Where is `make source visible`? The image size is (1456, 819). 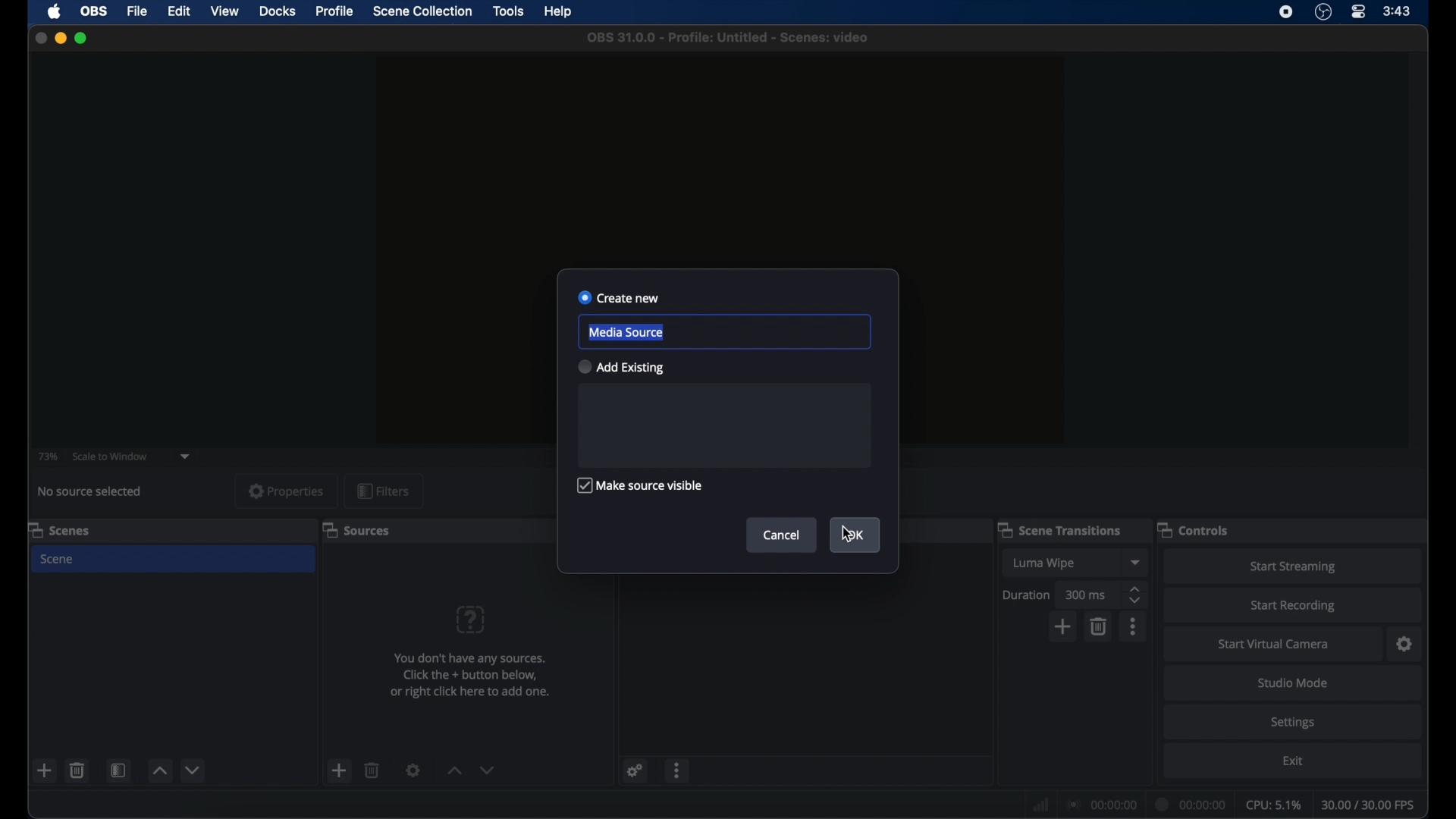 make source visible is located at coordinates (639, 485).